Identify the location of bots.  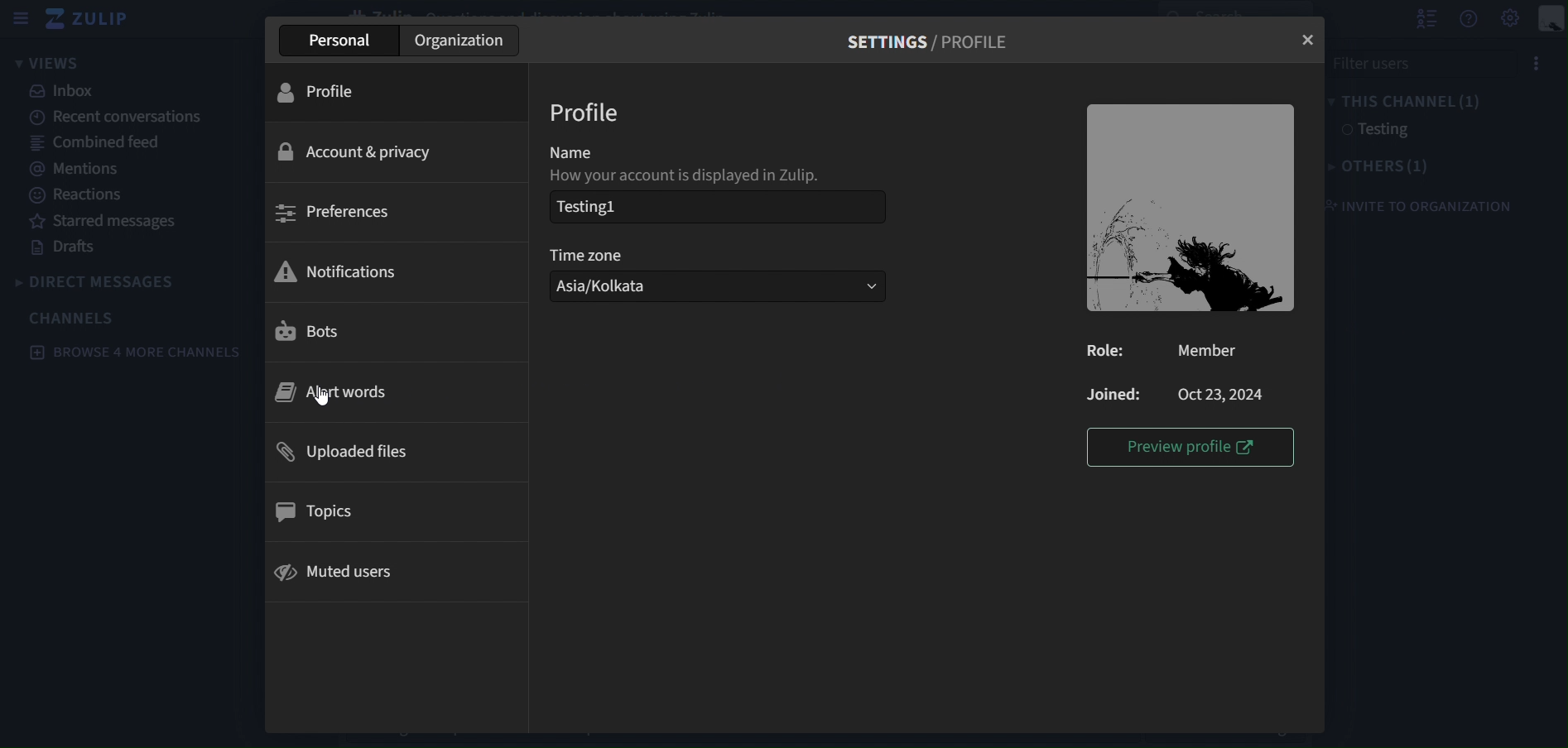
(310, 336).